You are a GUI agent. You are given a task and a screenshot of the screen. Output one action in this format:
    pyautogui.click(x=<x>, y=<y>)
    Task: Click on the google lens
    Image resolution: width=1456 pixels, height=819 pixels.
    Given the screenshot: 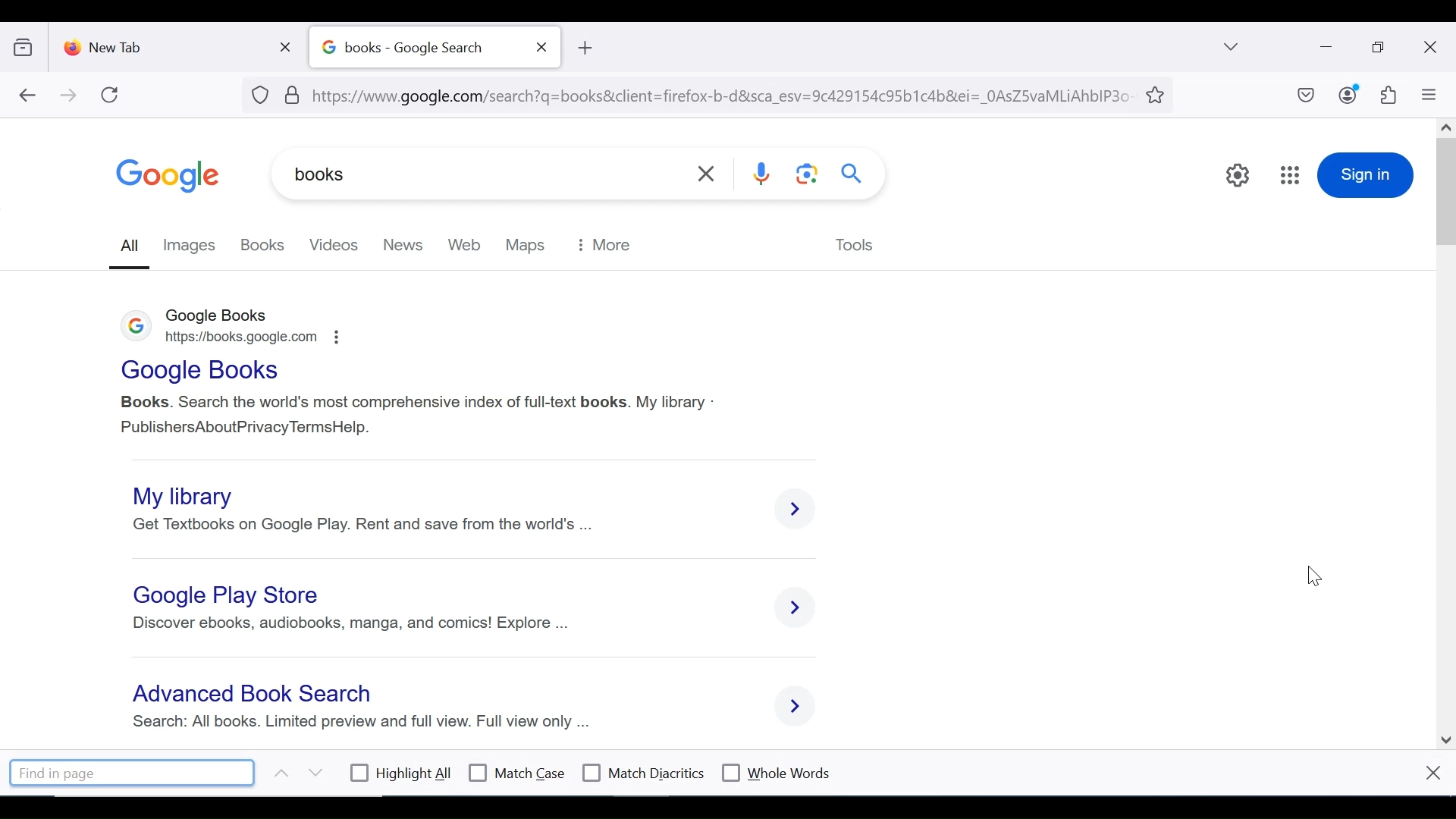 What is the action you would take?
    pyautogui.click(x=805, y=176)
    